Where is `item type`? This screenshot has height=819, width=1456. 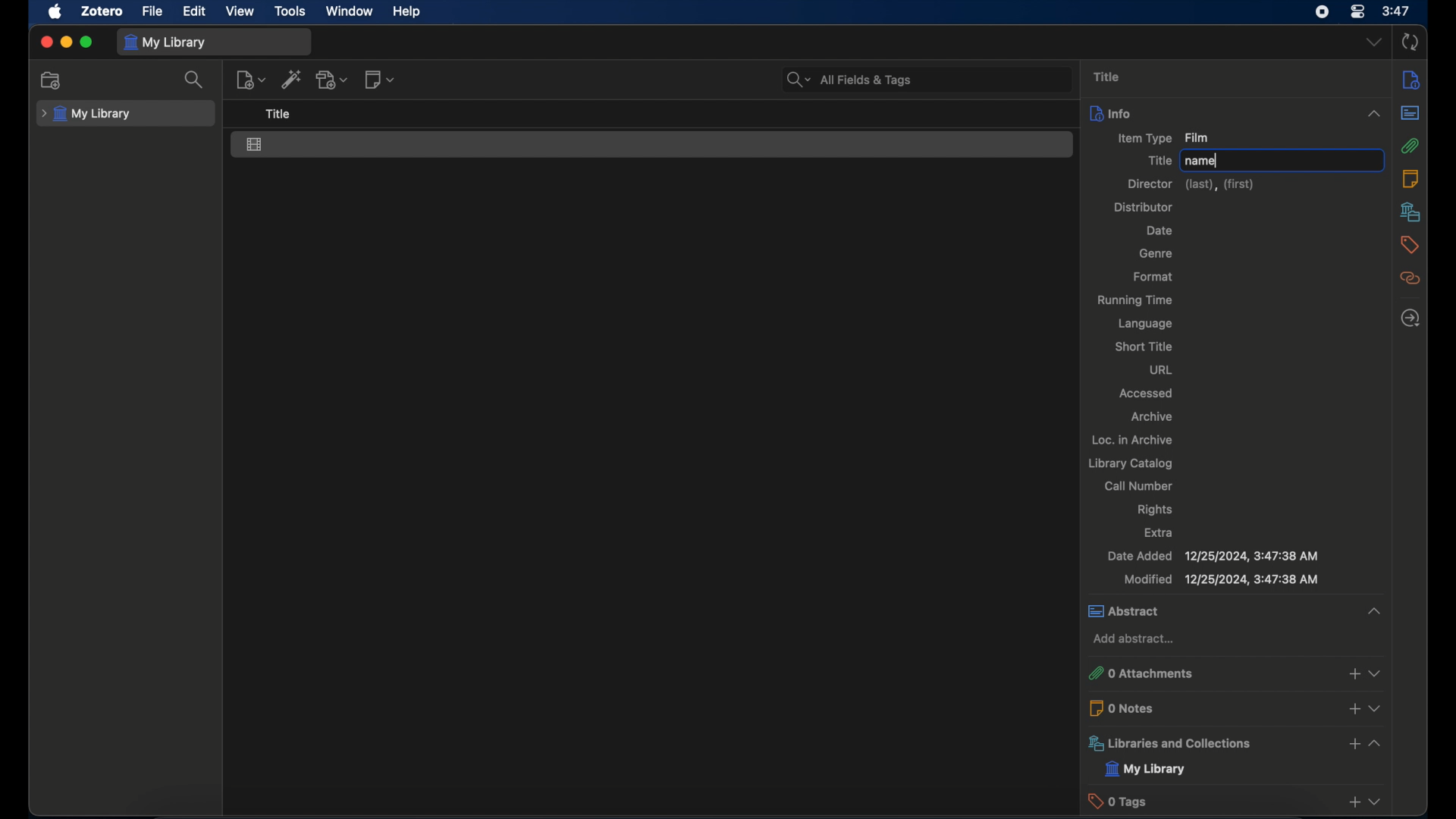
item type is located at coordinates (1162, 137).